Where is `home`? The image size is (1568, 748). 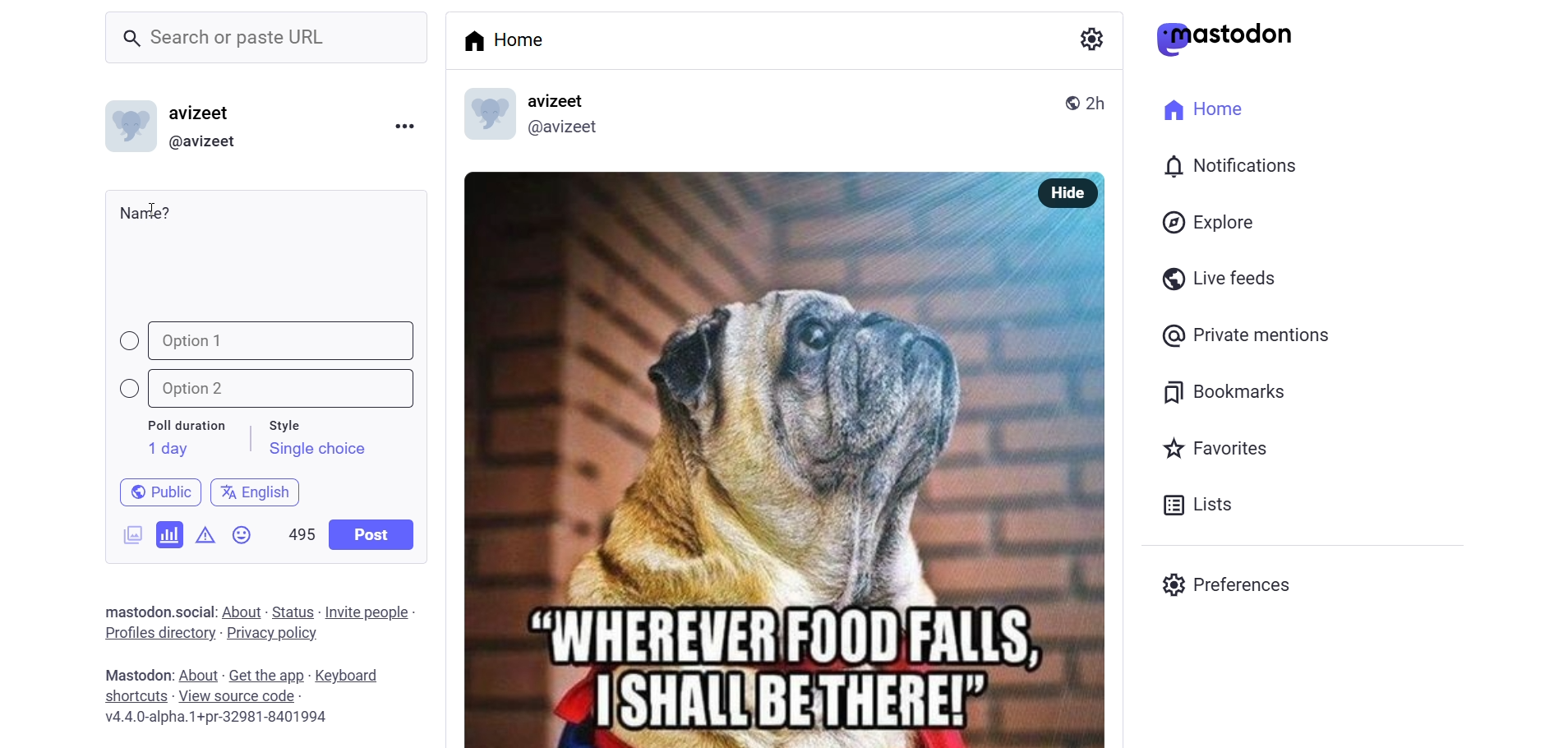 home is located at coordinates (1198, 107).